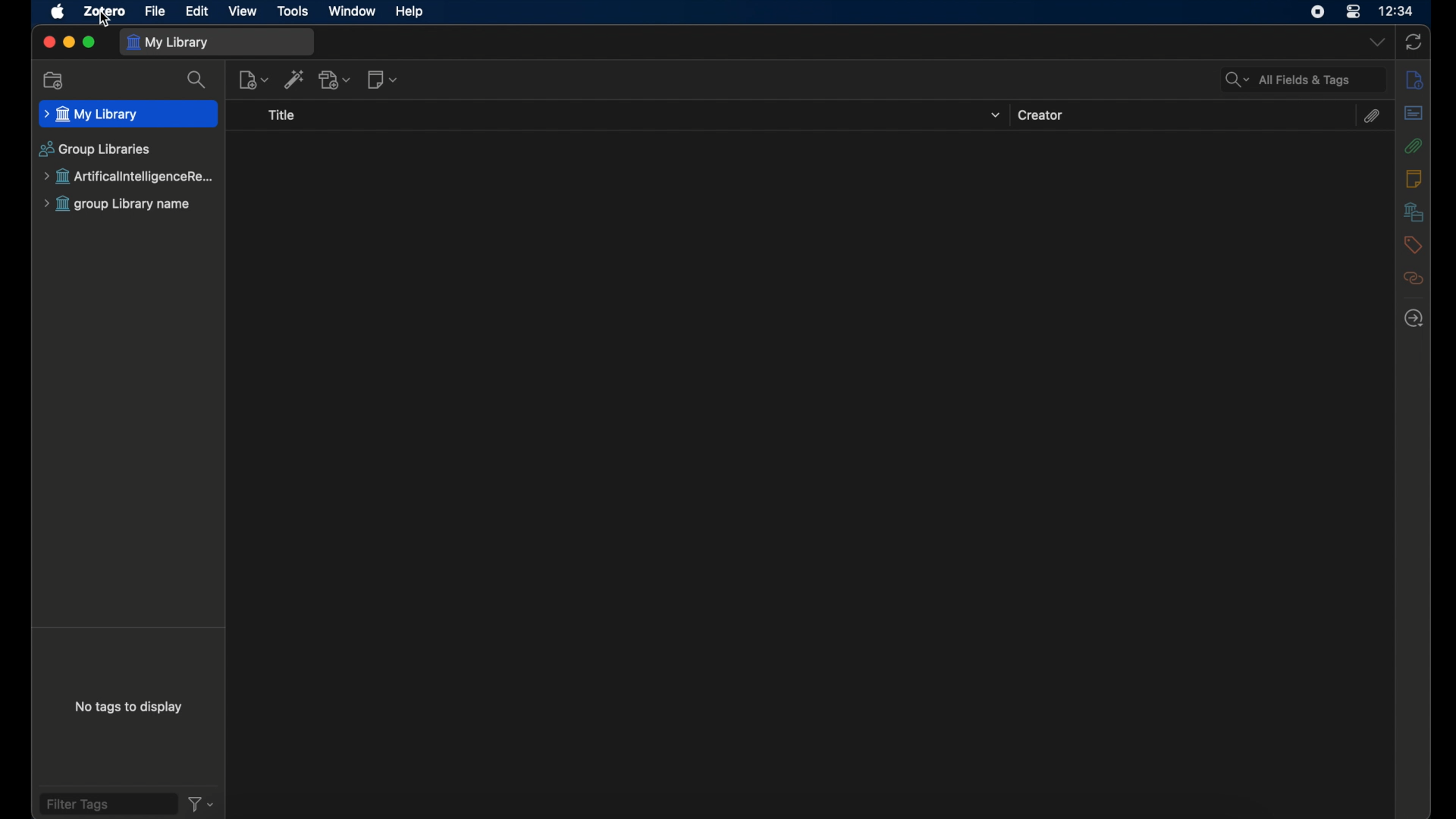 Image resolution: width=1456 pixels, height=819 pixels. Describe the element at coordinates (47, 43) in the screenshot. I see `close` at that location.